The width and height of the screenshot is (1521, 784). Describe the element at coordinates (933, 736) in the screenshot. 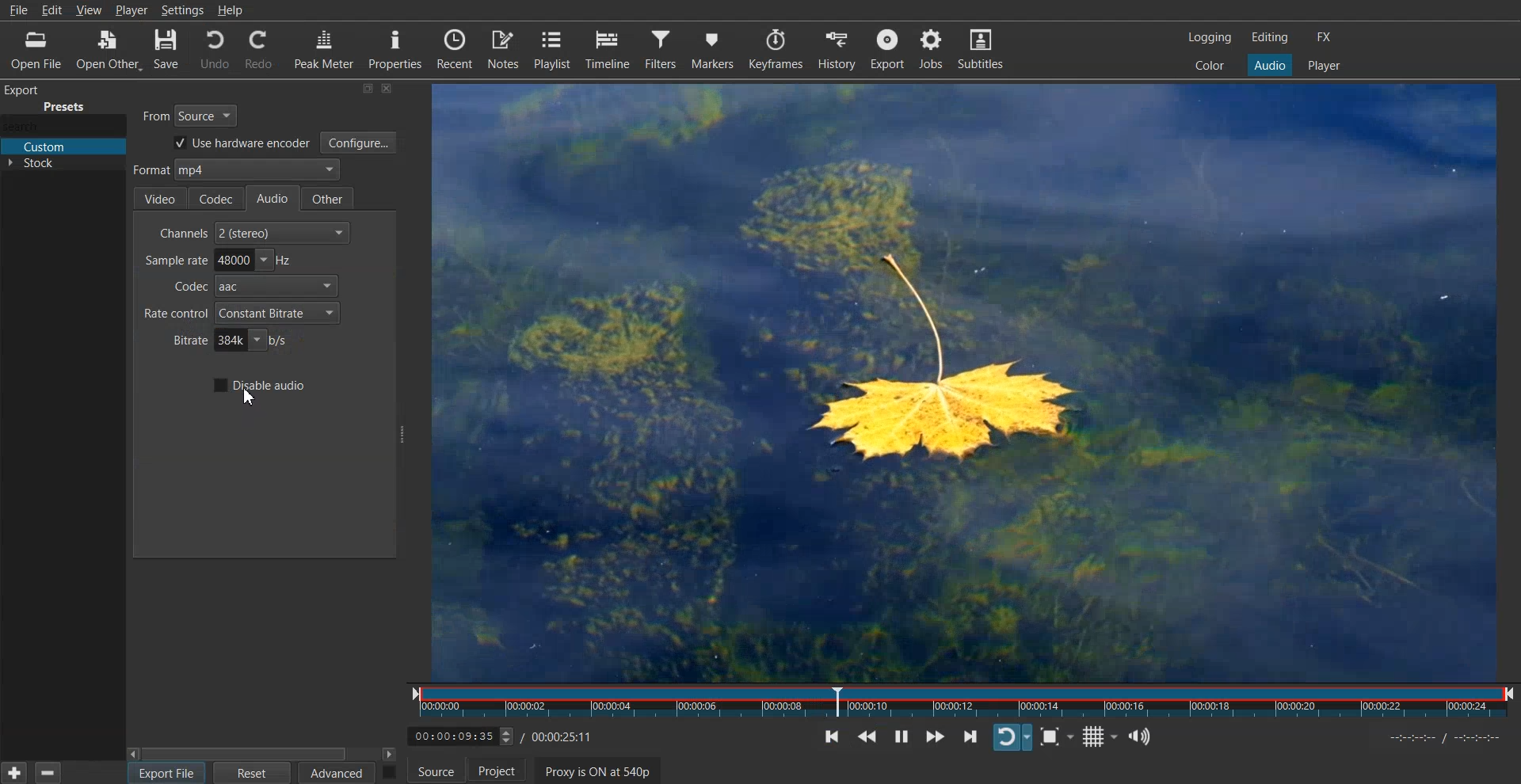

I see `Play quickly forwards` at that location.